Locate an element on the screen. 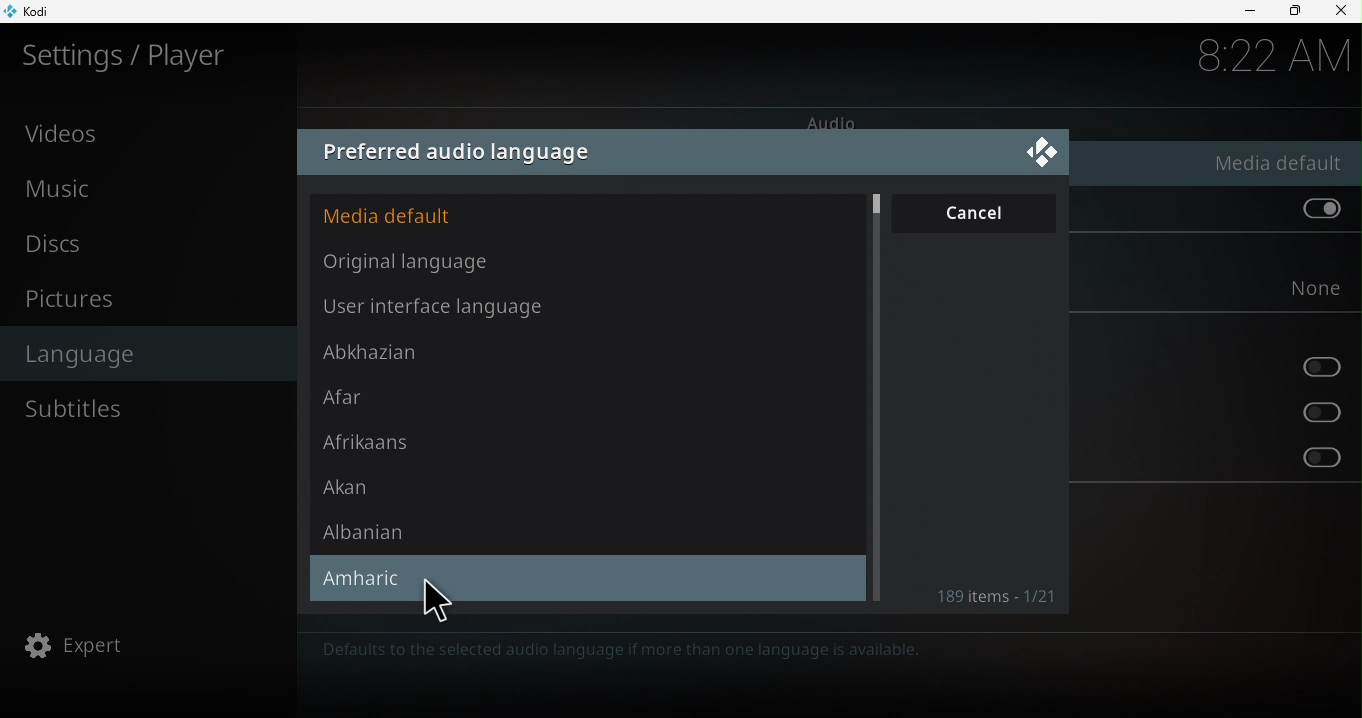 The image size is (1362, 718). Amharic is located at coordinates (580, 581).